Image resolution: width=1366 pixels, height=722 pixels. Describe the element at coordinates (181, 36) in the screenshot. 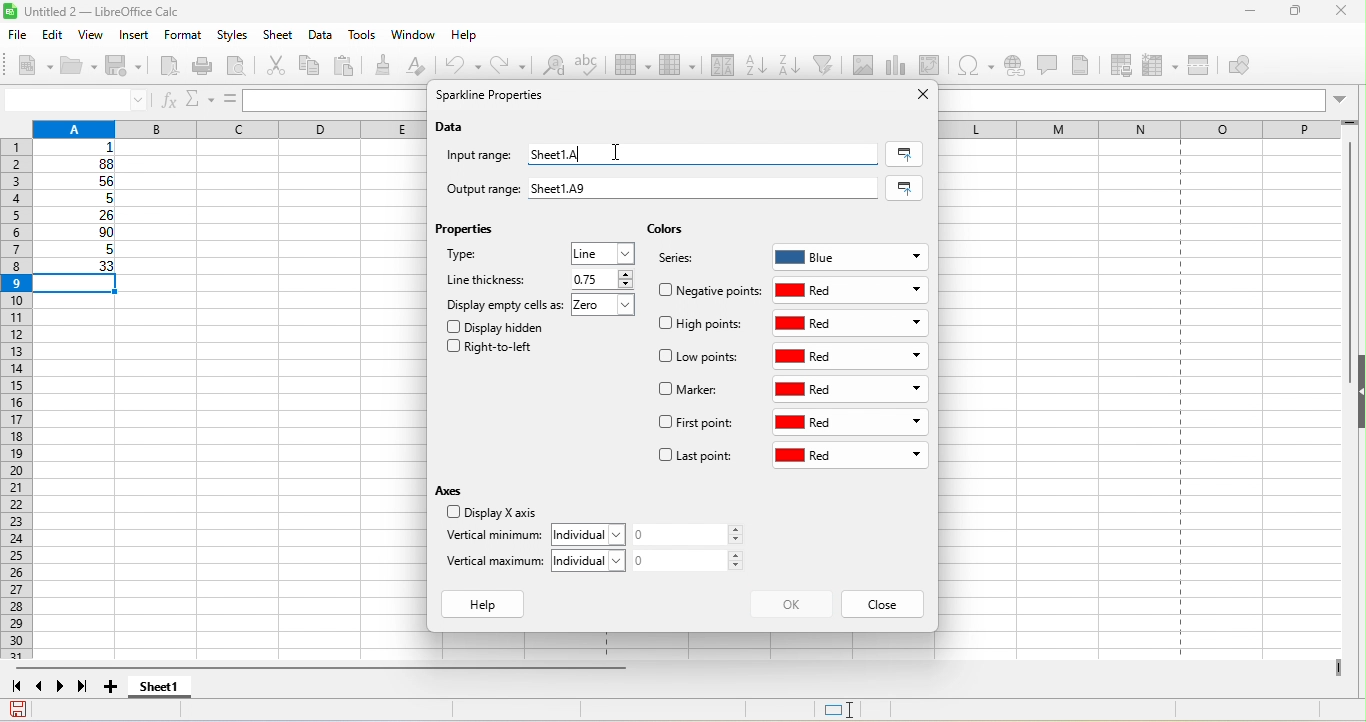

I see `format` at that location.